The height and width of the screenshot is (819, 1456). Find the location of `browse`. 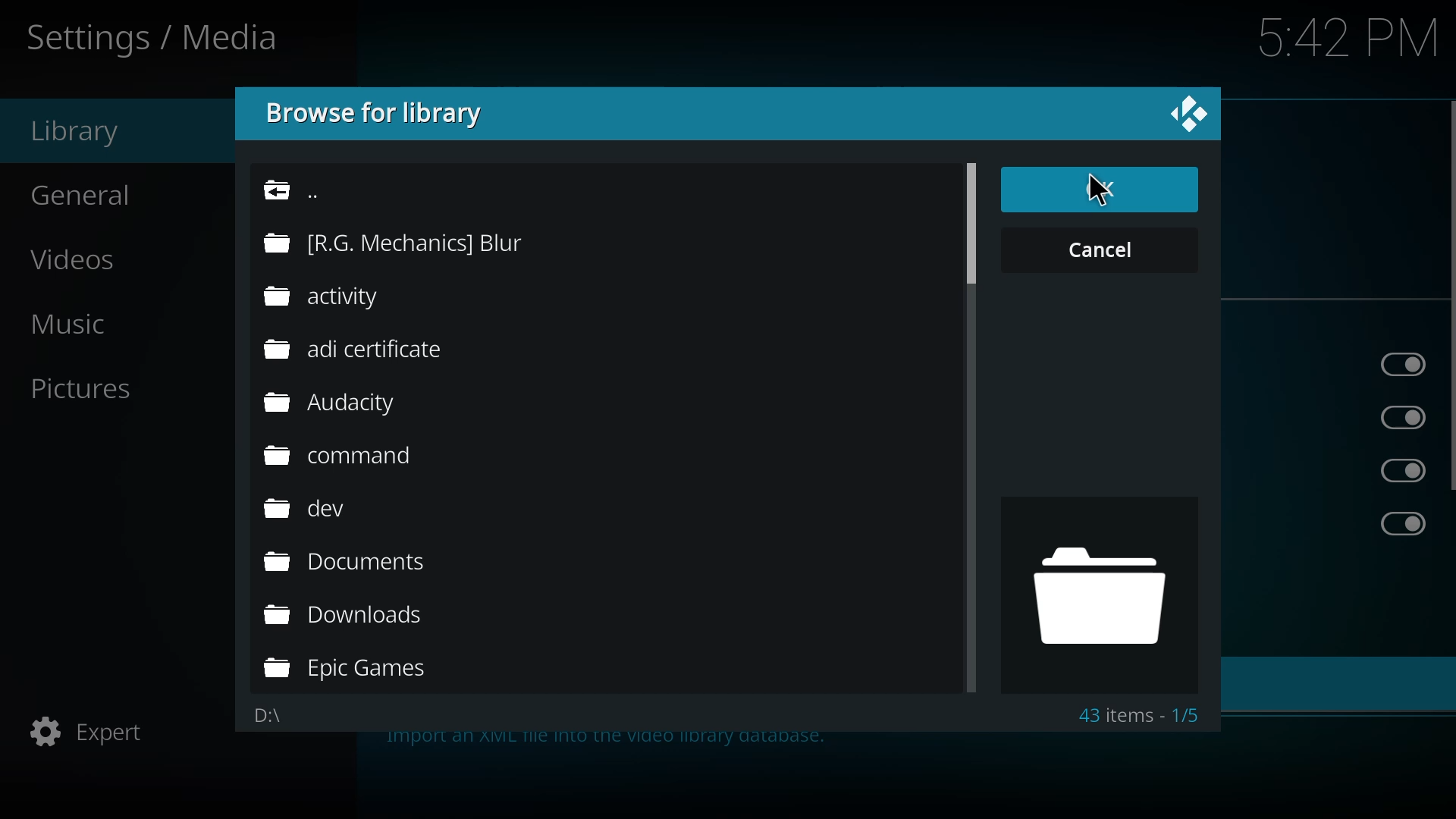

browse is located at coordinates (381, 113).